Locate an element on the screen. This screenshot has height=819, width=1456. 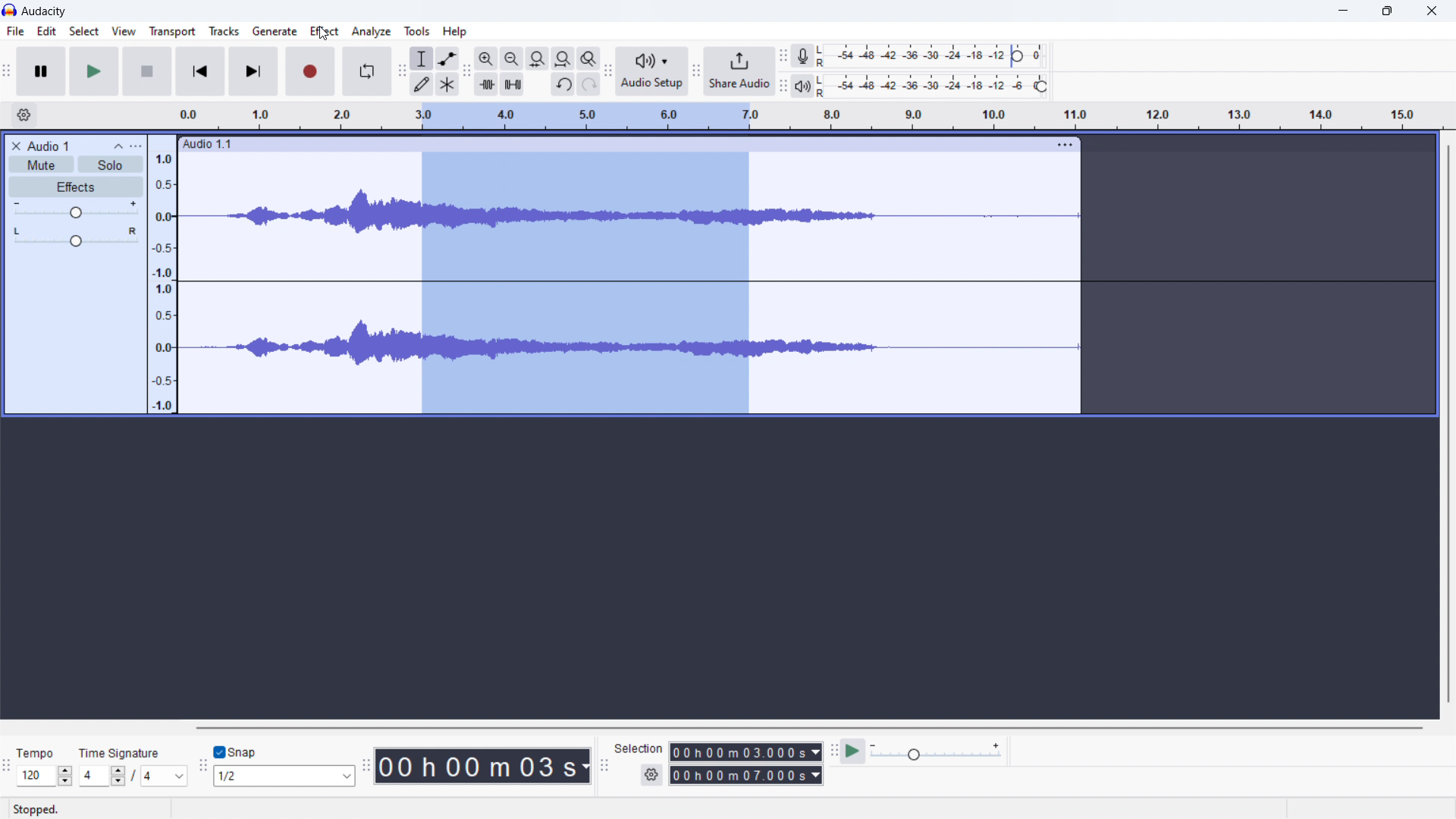
time toolbar is located at coordinates (366, 770).